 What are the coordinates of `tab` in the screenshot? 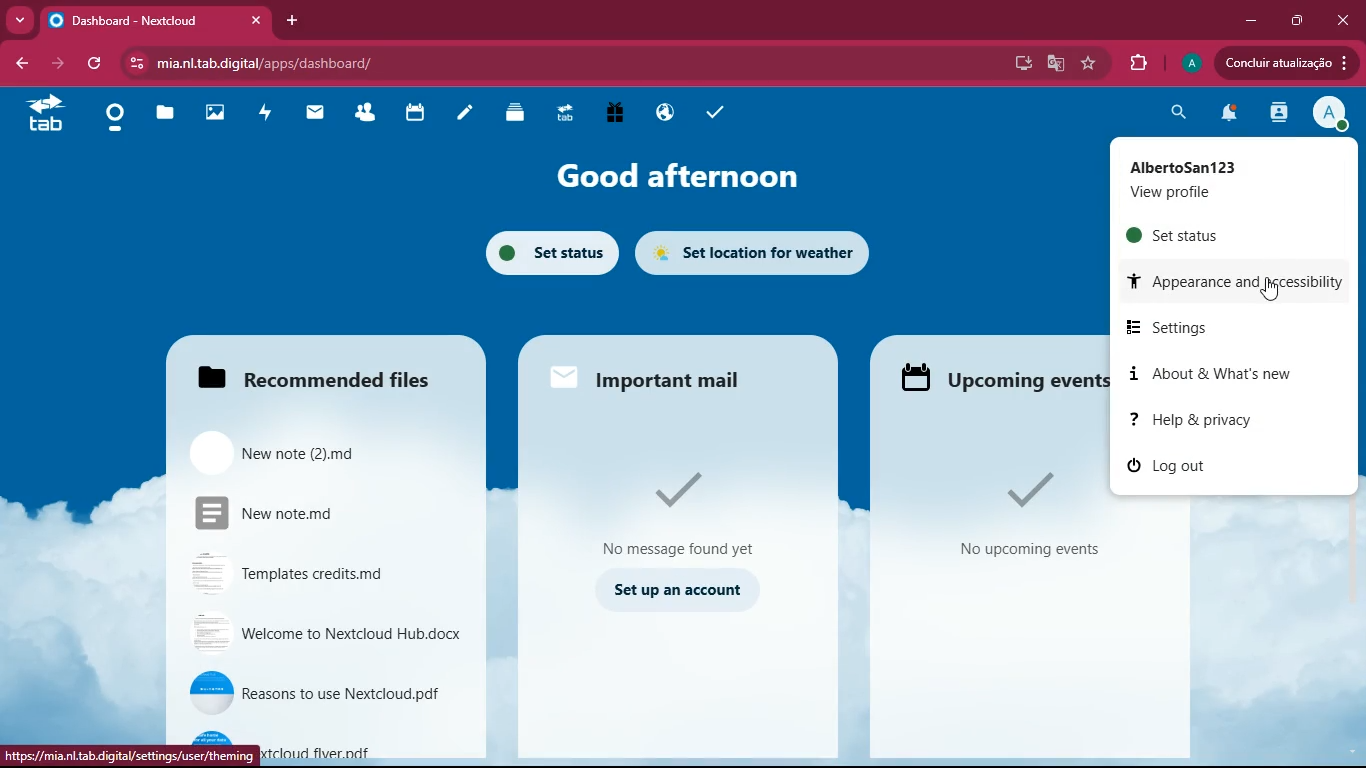 It's located at (48, 118).